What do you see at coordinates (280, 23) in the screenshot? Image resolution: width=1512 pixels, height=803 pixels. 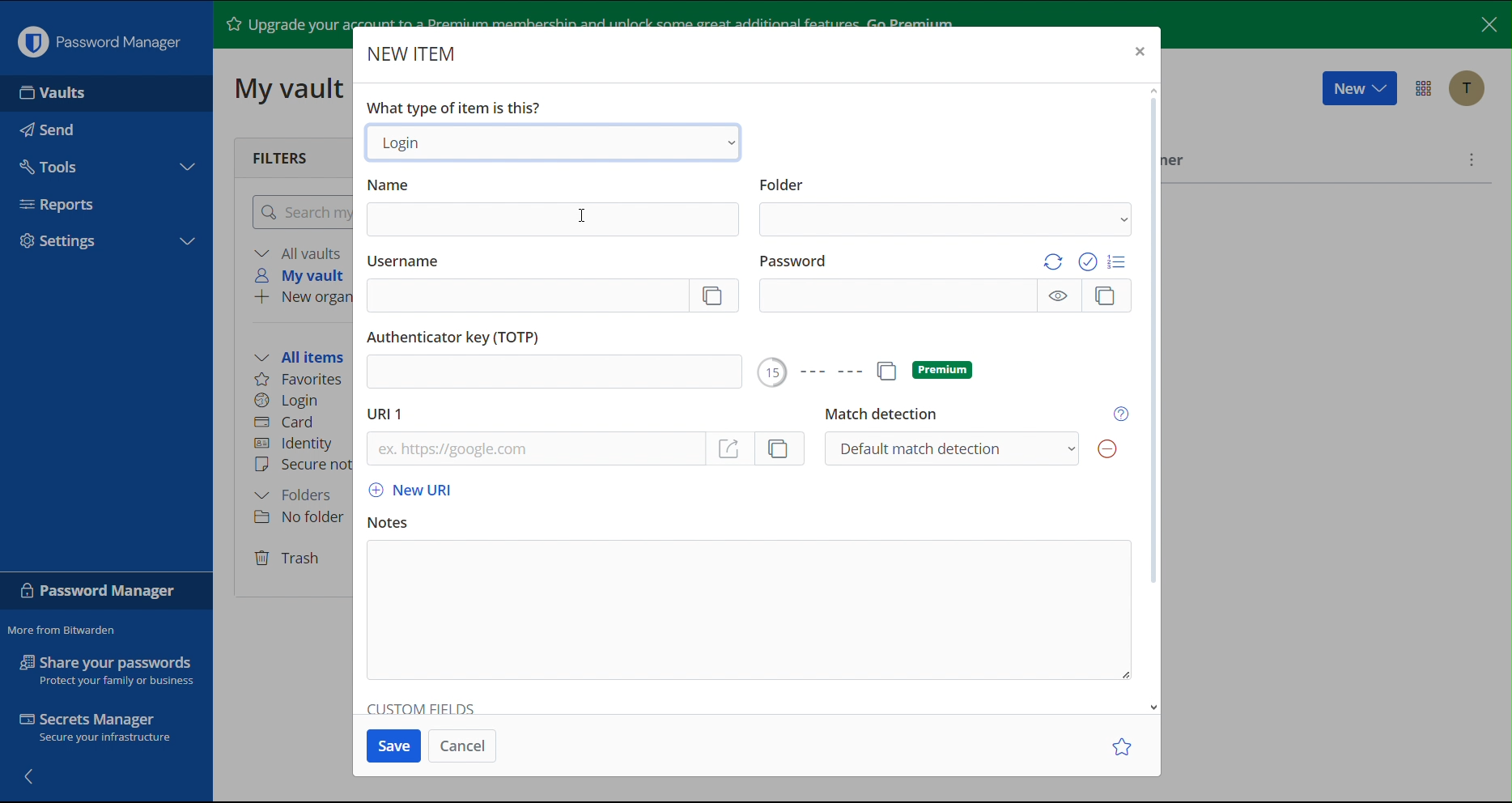 I see `Upgrade your account ` at bounding box center [280, 23].